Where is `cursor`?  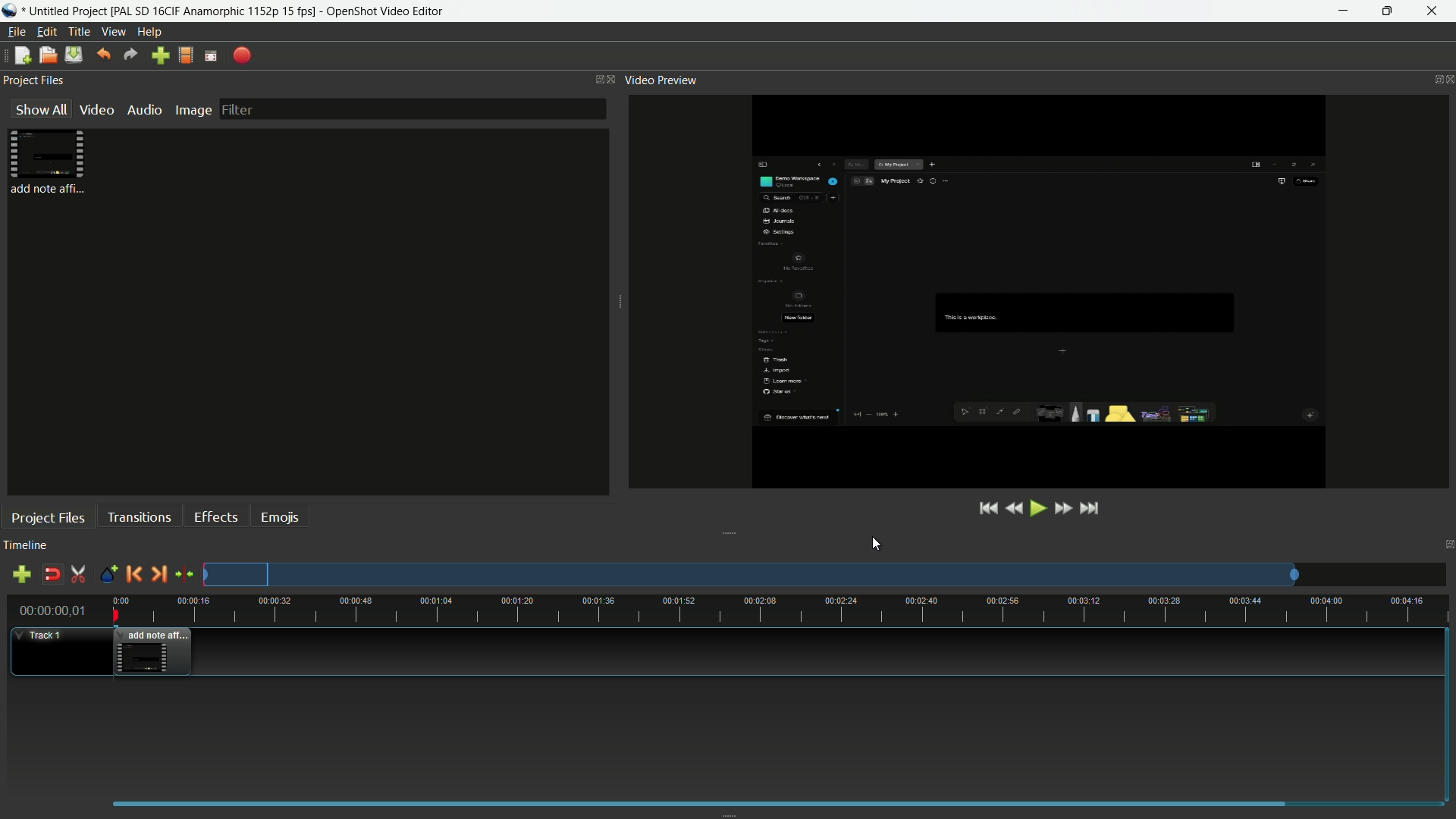 cursor is located at coordinates (874, 543).